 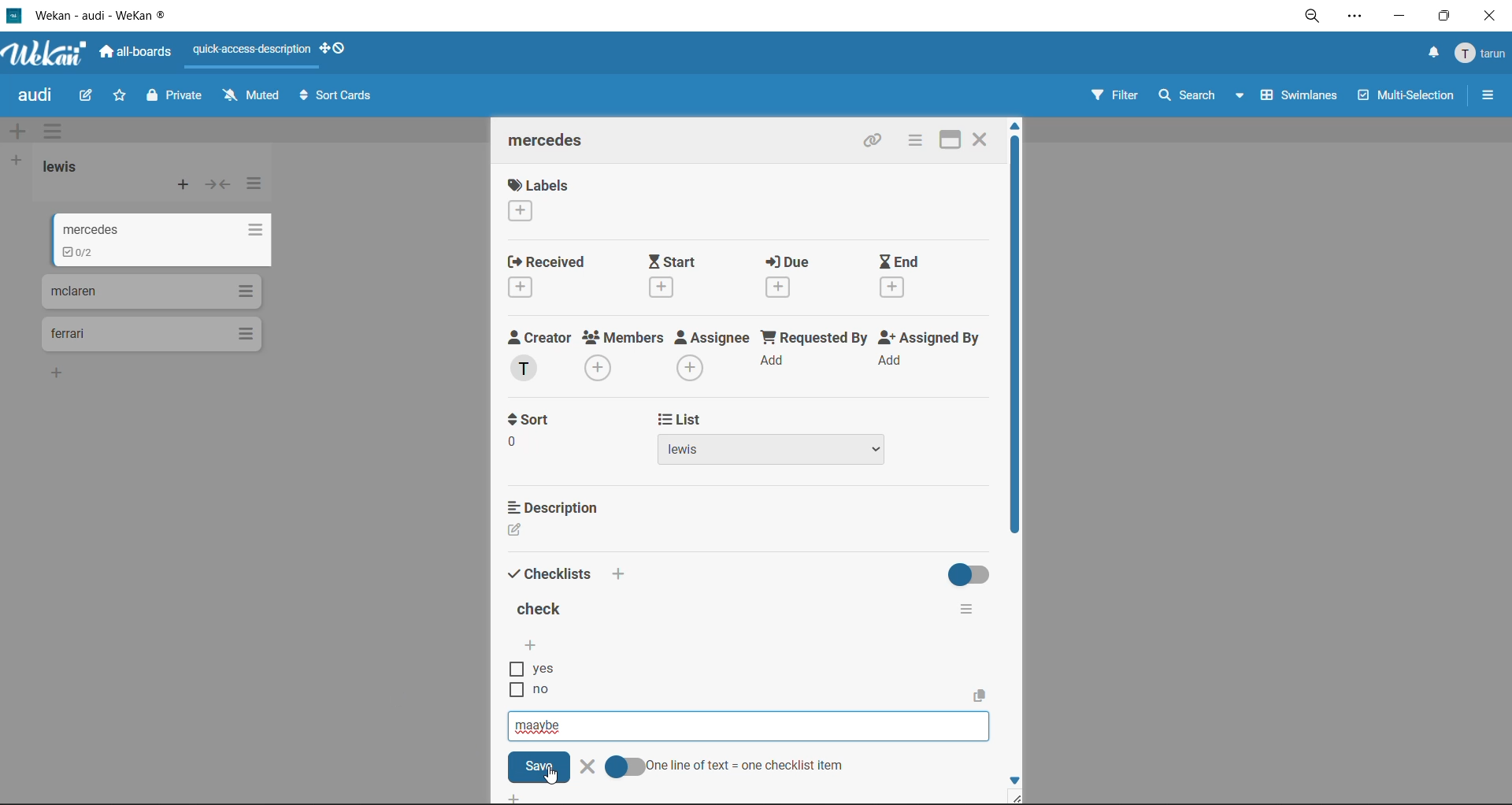 I want to click on Add, so click(x=621, y=572).